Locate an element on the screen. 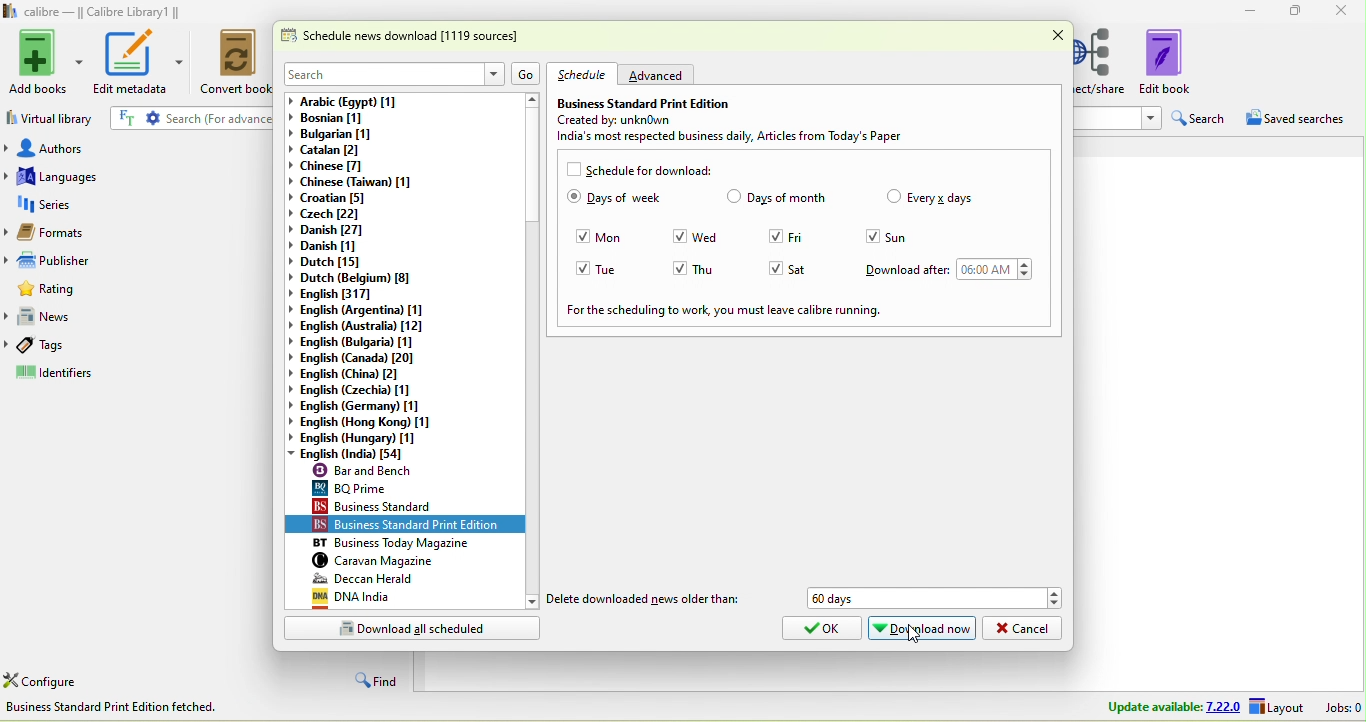  days of week is located at coordinates (627, 200).